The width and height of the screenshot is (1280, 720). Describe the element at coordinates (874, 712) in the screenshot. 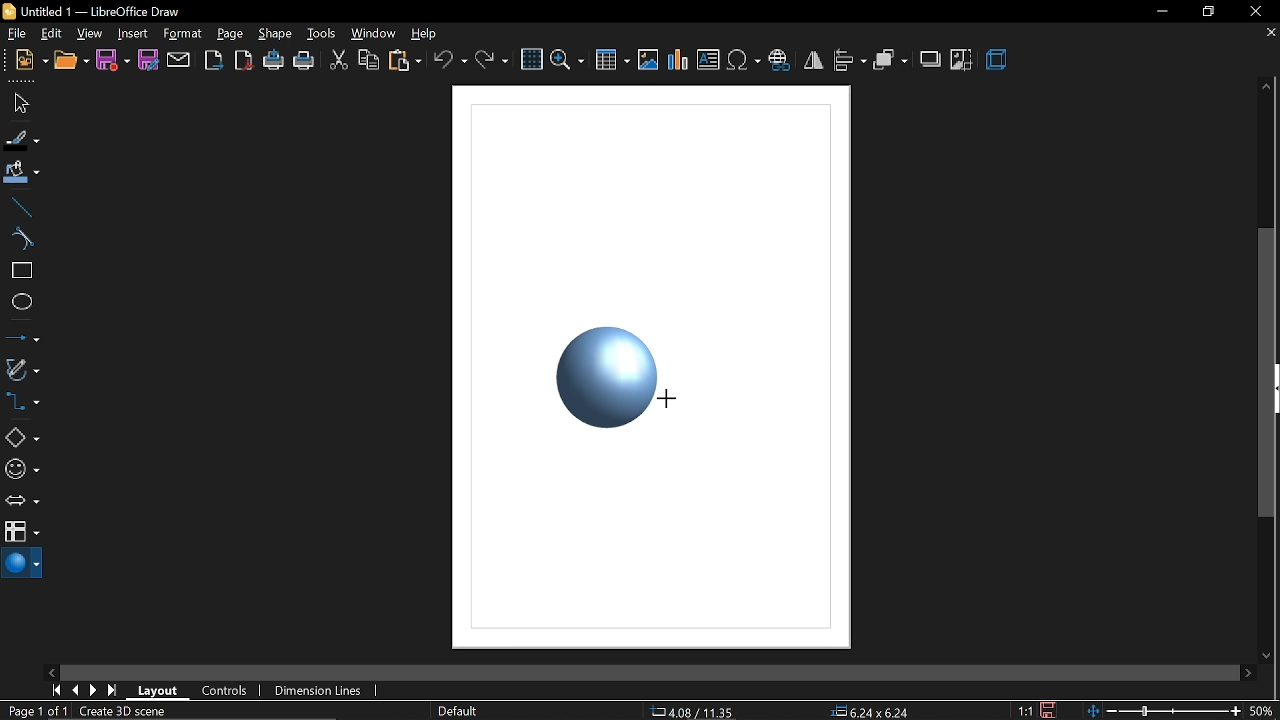

I see `0.00x0.00` at that location.